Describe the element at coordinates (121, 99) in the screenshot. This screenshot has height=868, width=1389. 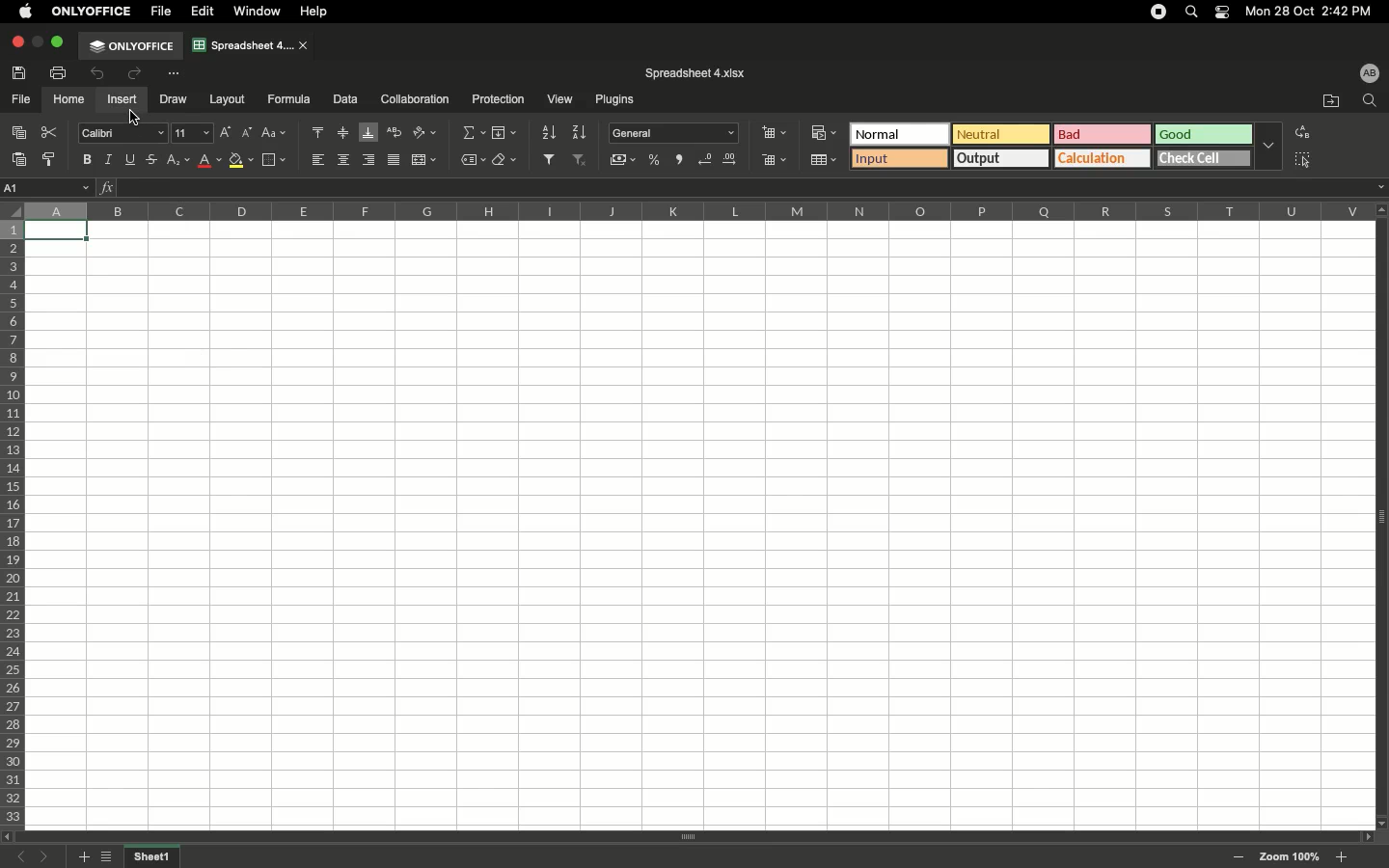
I see `Insert` at that location.